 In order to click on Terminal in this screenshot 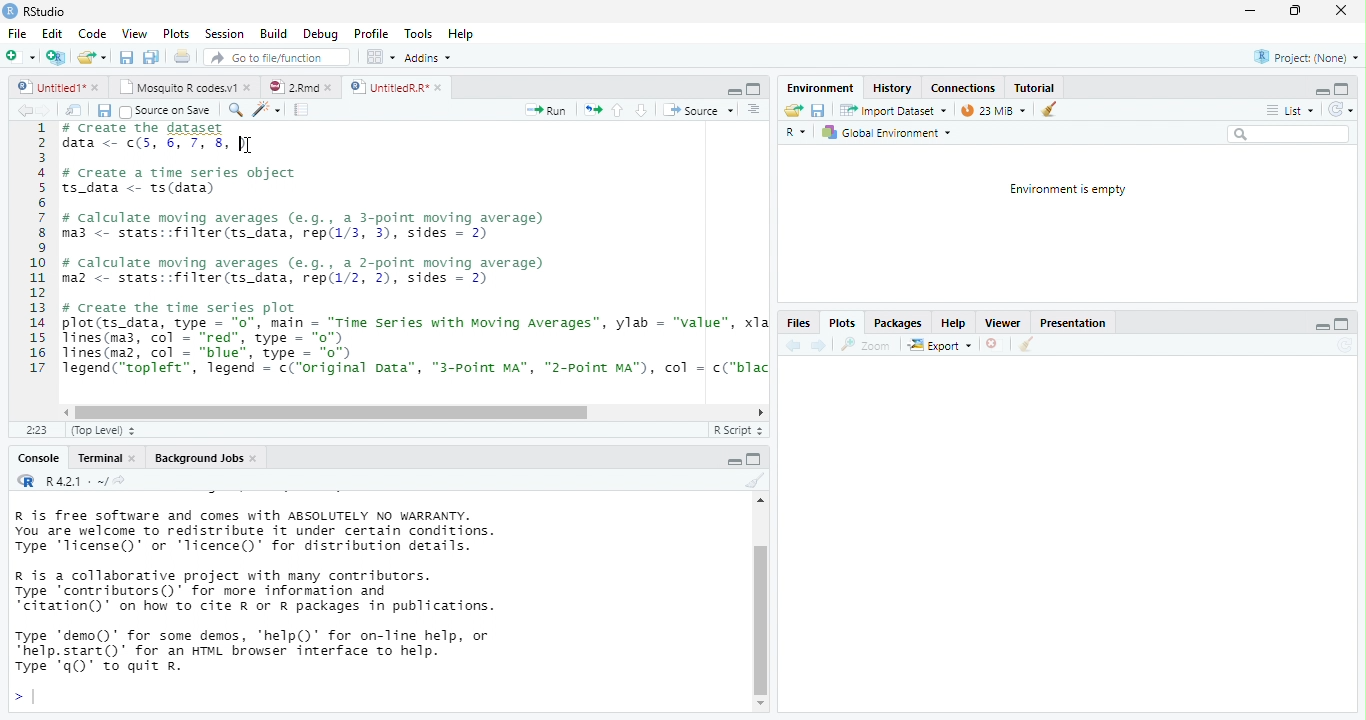, I will do `click(99, 458)`.